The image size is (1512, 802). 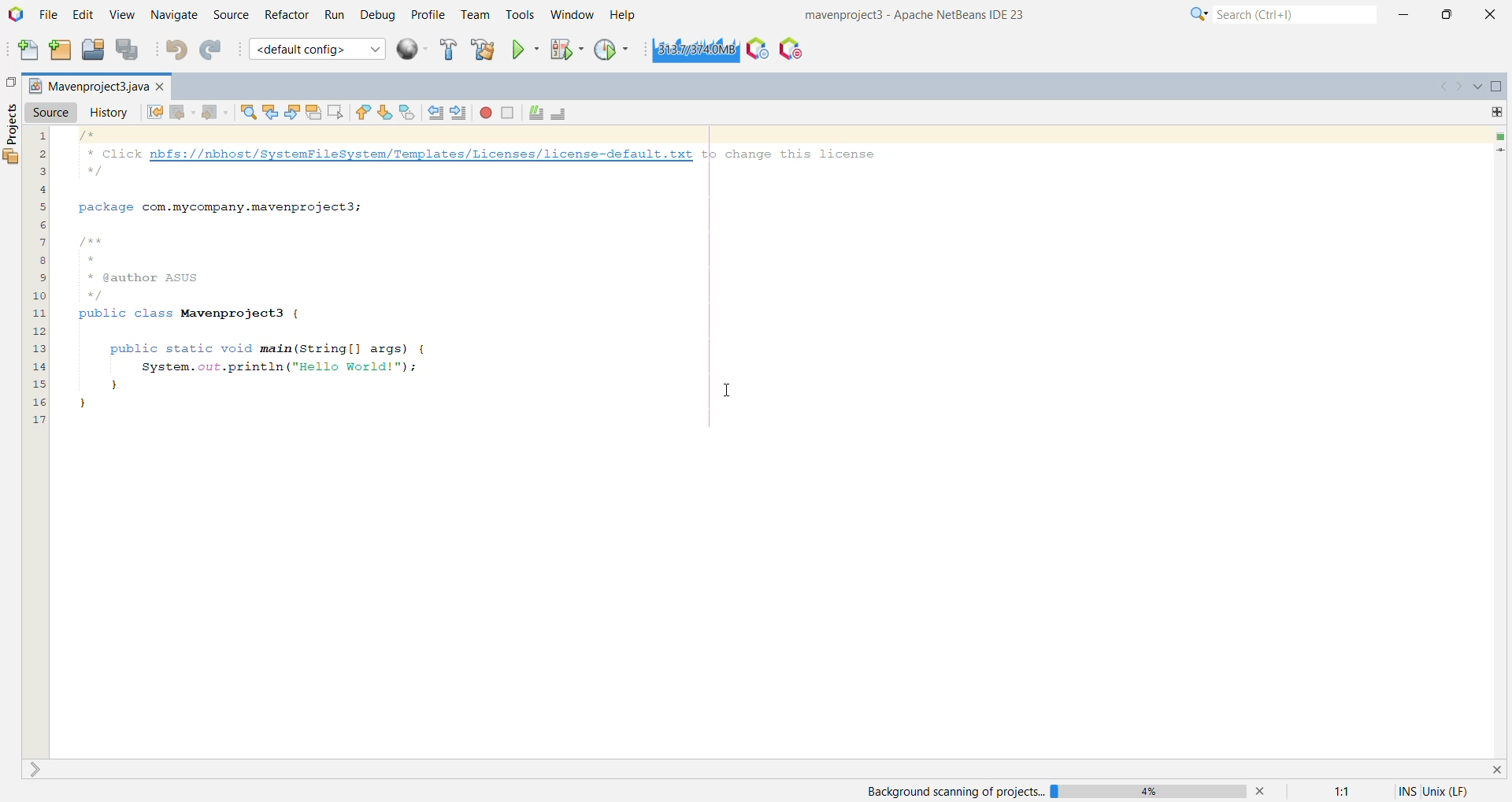 What do you see at coordinates (563, 114) in the screenshot?
I see `Uncomment` at bounding box center [563, 114].